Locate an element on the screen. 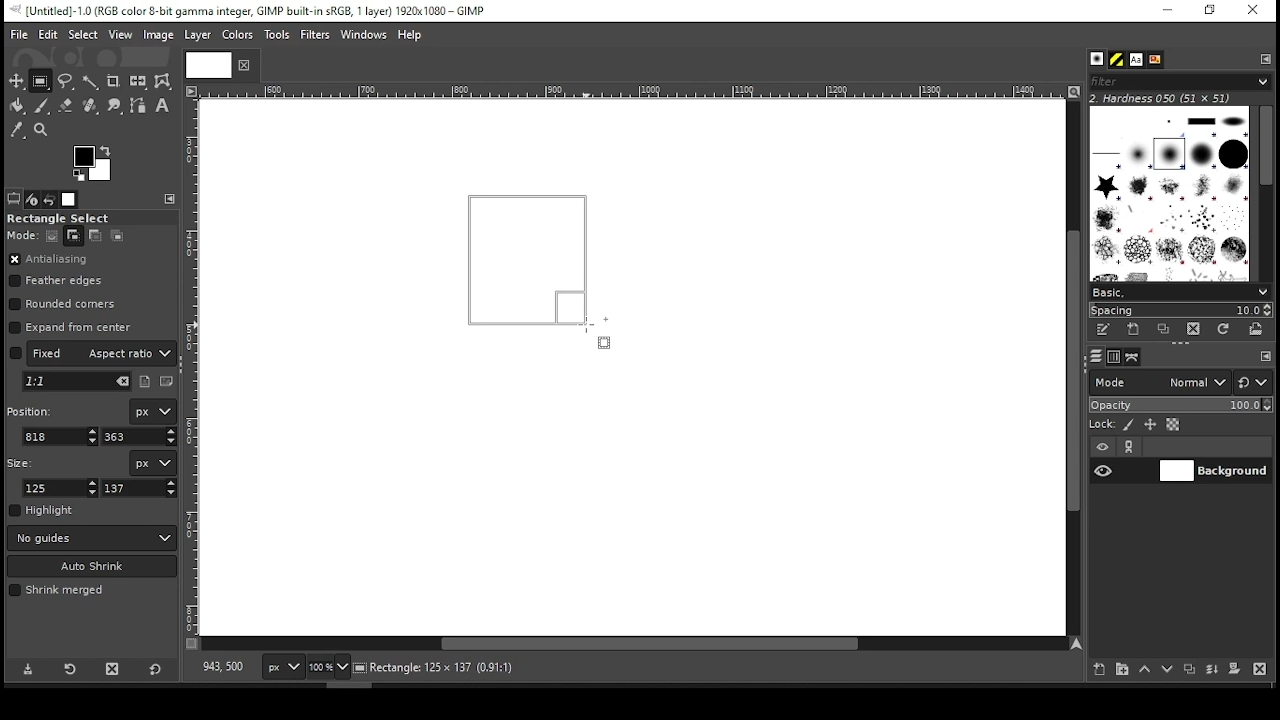 The width and height of the screenshot is (1280, 720). antialiasing is located at coordinates (49, 260).